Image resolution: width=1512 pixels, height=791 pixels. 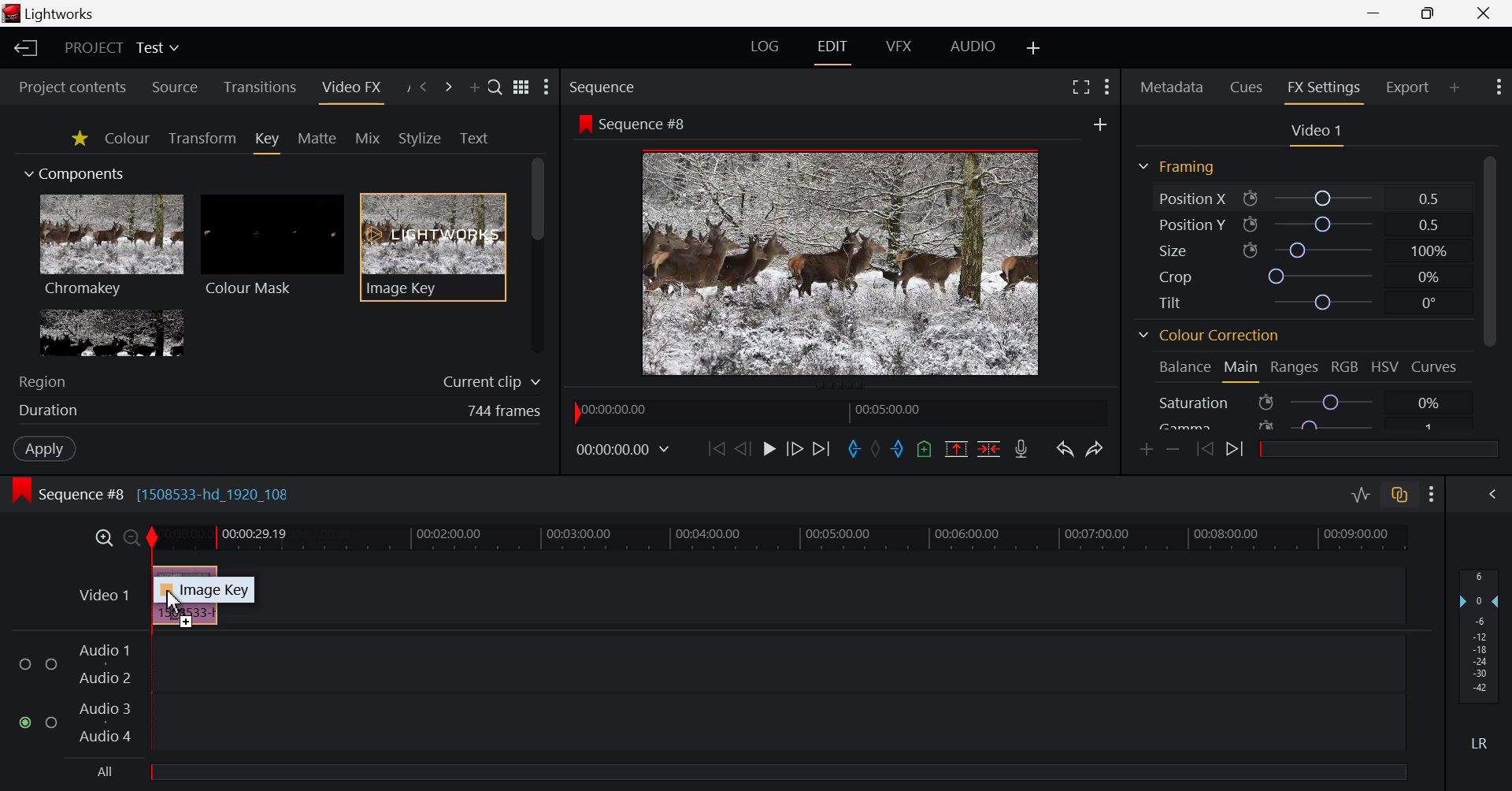 What do you see at coordinates (1067, 448) in the screenshot?
I see `Undo` at bounding box center [1067, 448].